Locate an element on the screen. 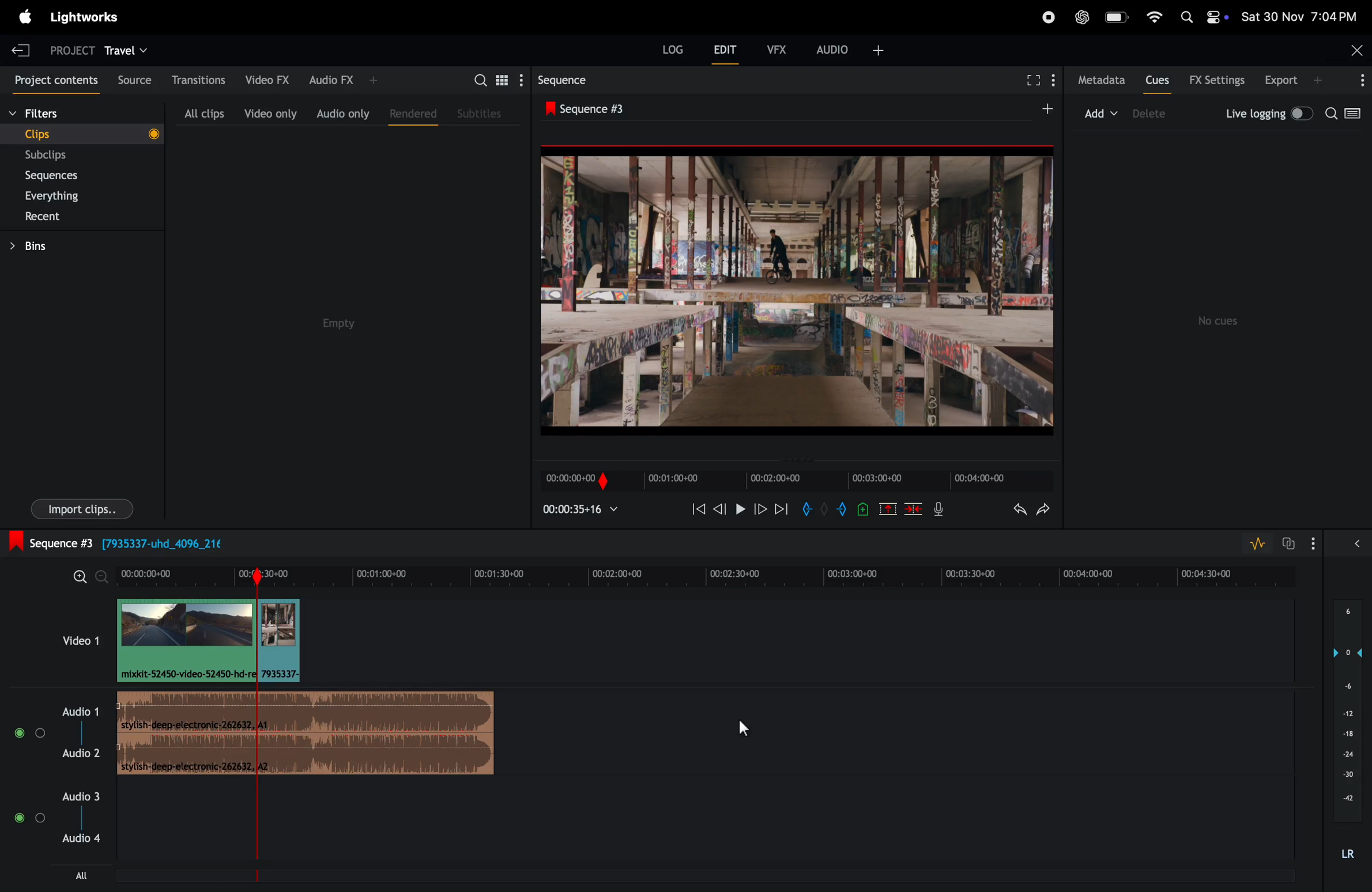  sequence is located at coordinates (563, 78).